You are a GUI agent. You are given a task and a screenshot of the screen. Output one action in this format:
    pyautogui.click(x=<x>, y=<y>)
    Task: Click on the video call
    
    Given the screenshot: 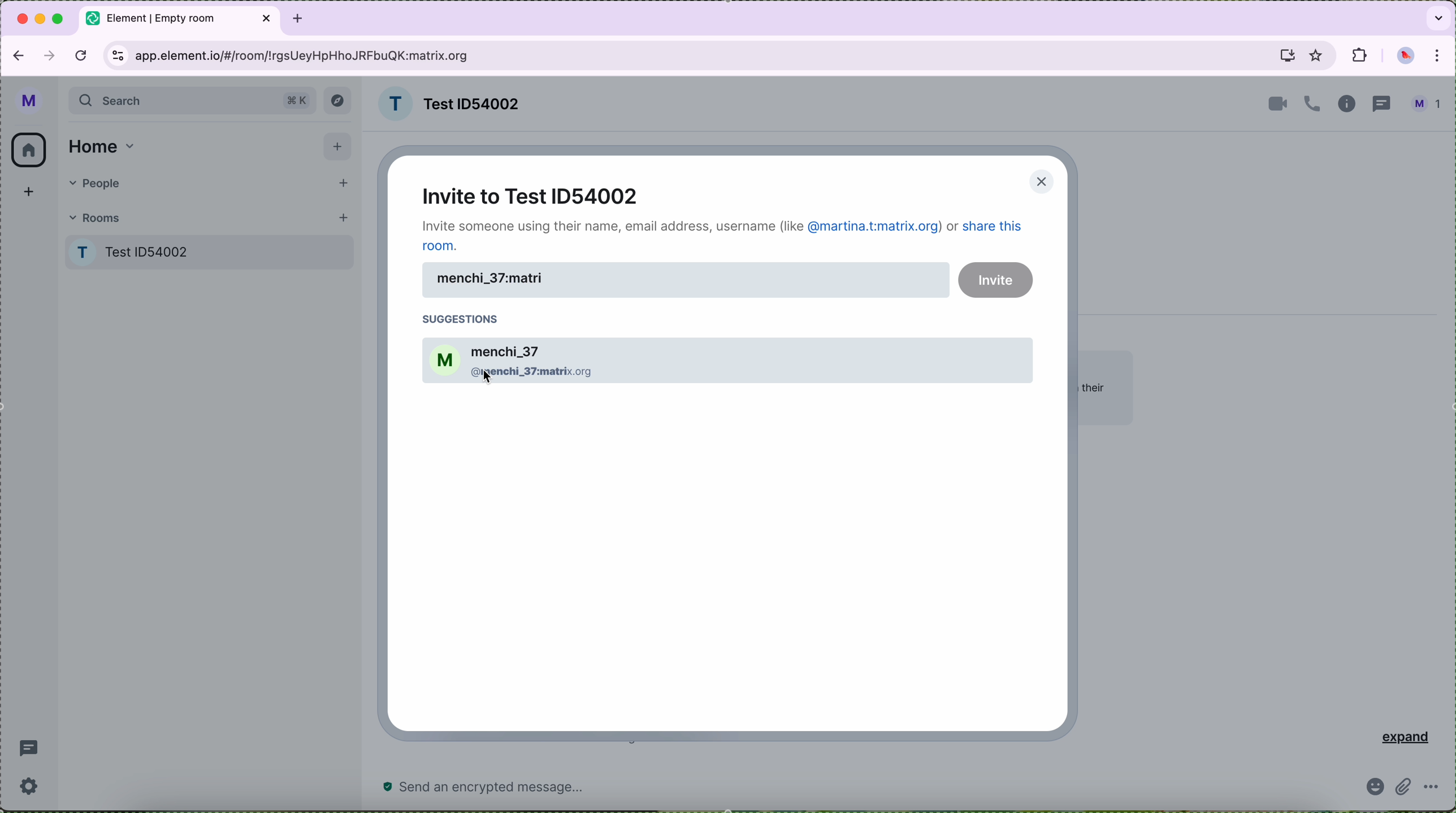 What is the action you would take?
    pyautogui.click(x=1275, y=103)
    